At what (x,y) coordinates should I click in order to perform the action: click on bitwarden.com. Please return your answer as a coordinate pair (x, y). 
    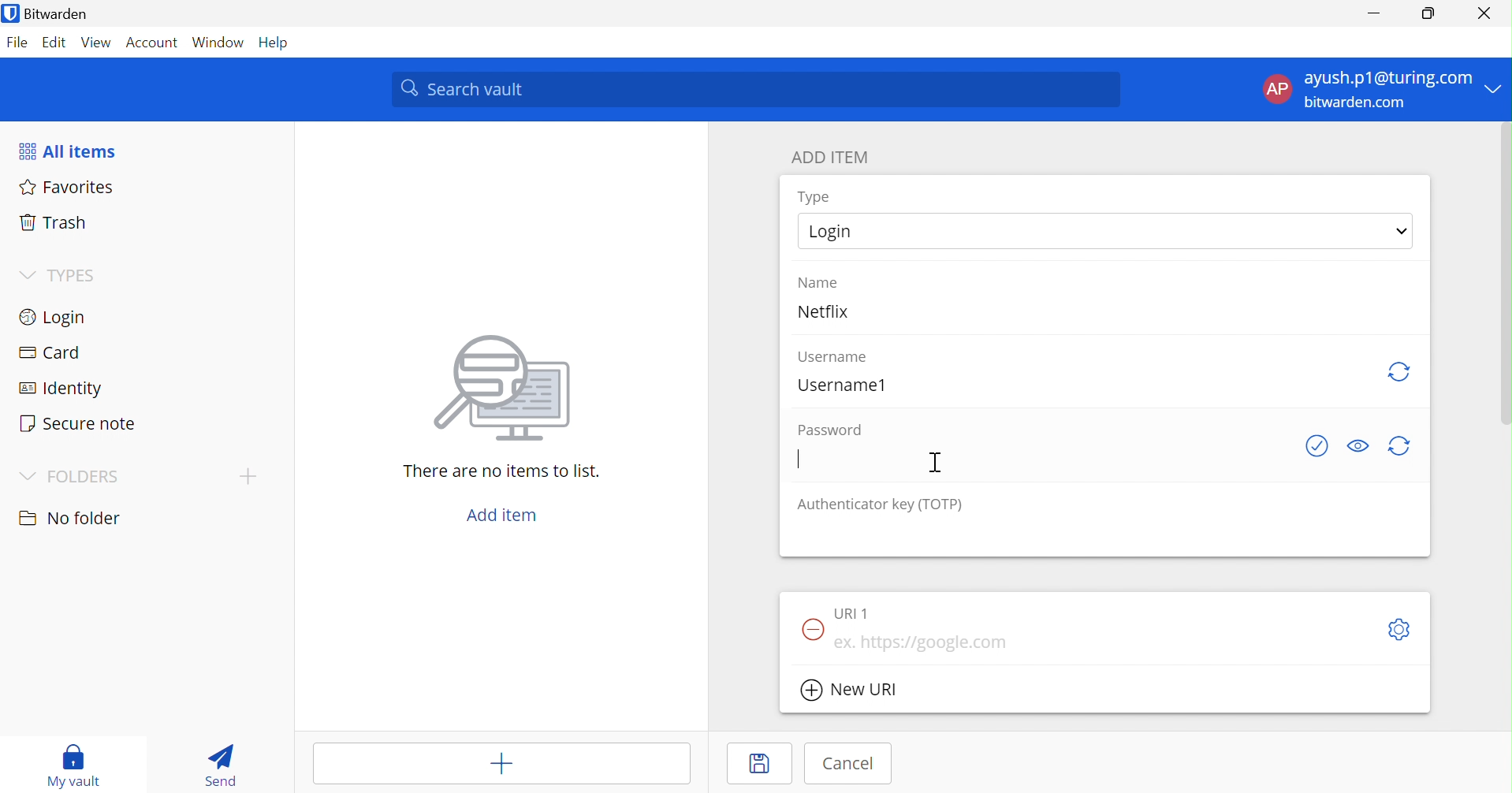
    Looking at the image, I should click on (1354, 102).